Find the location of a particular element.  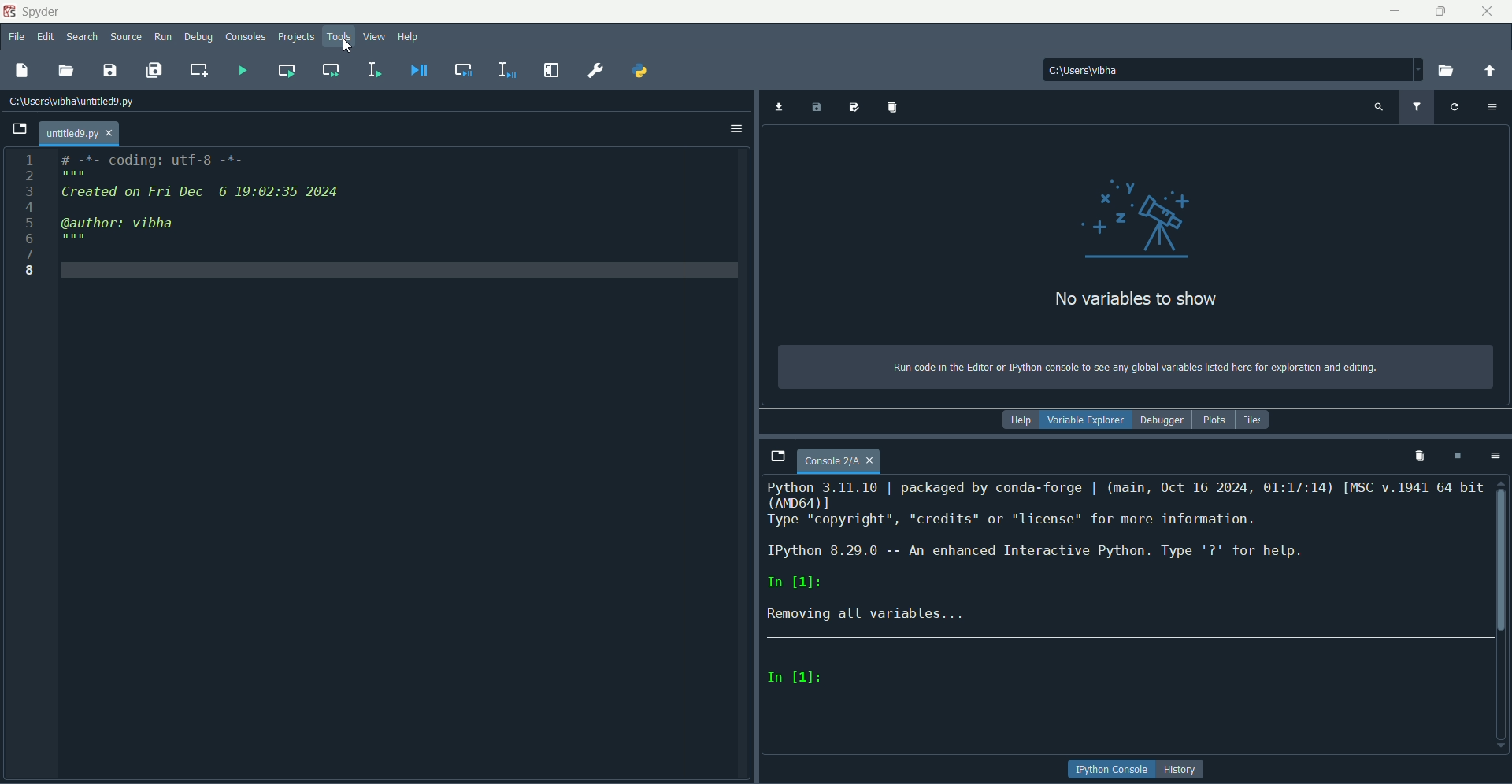

interrupt kernel is located at coordinates (1456, 456).